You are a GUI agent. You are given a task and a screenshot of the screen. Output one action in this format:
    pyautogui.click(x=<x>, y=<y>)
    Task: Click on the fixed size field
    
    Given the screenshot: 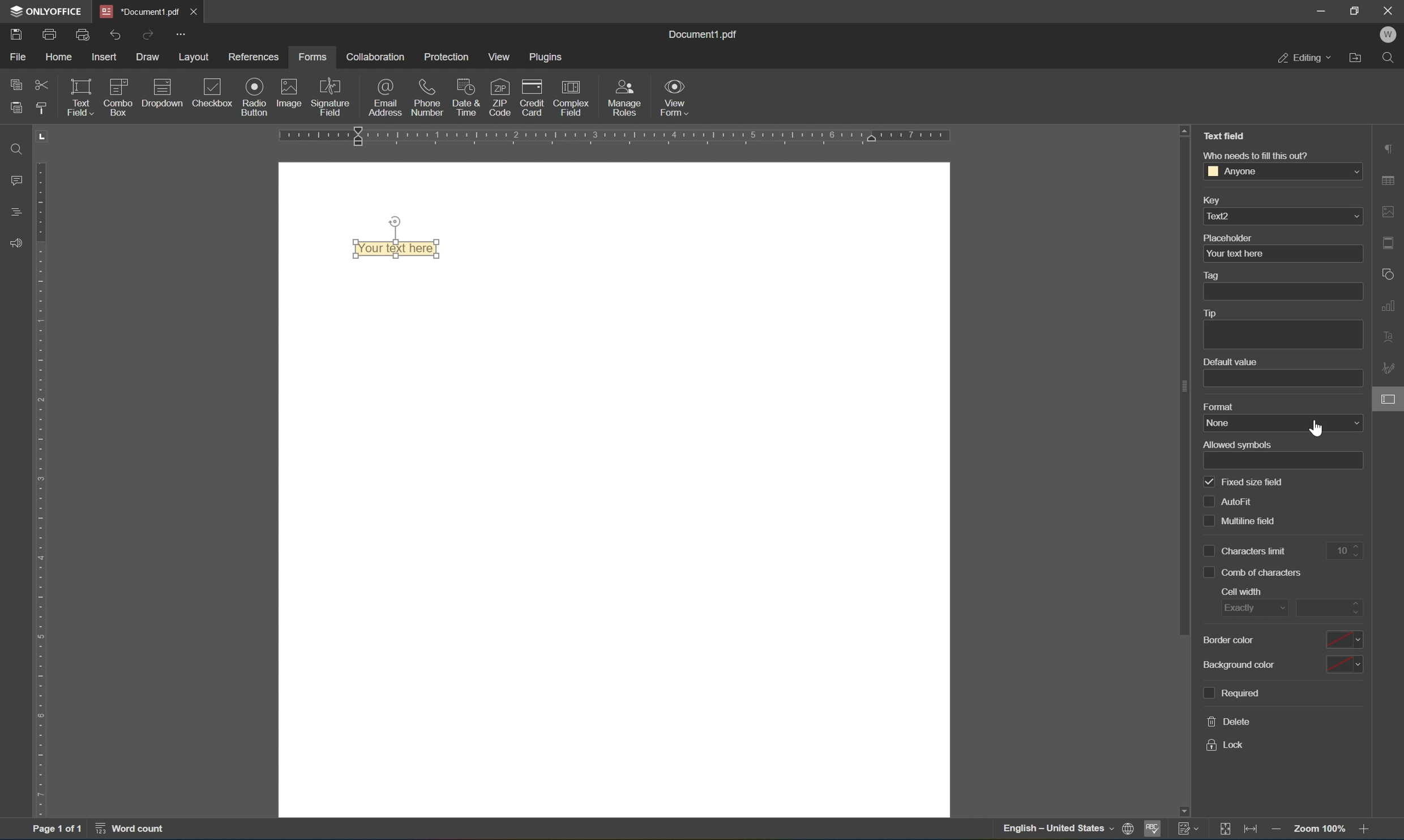 What is the action you would take?
    pyautogui.click(x=1242, y=481)
    